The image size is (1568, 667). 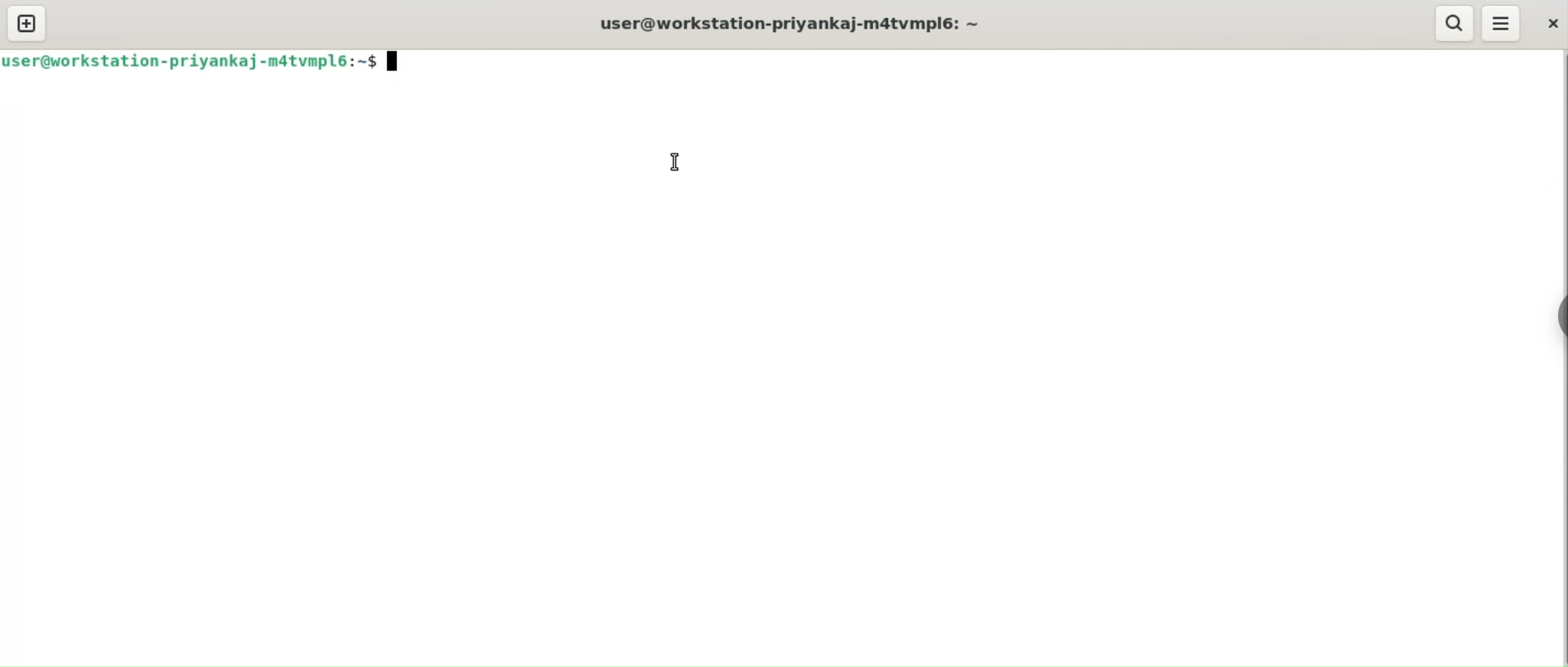 I want to click on user@workstation-priyankaj-m4tvmlp6:~$, so click(x=188, y=66).